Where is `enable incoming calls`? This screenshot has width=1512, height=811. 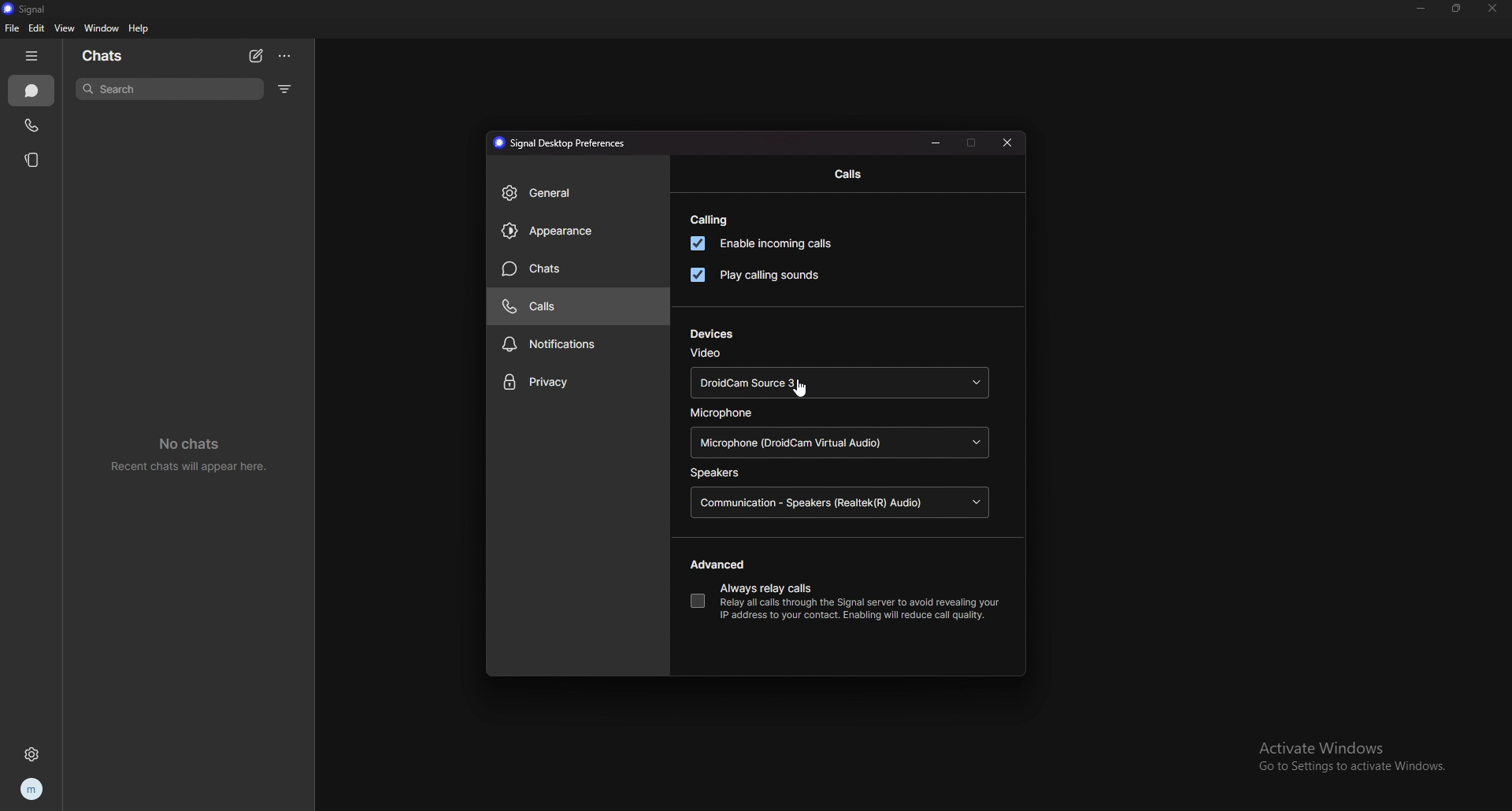 enable incoming calls is located at coordinates (766, 243).